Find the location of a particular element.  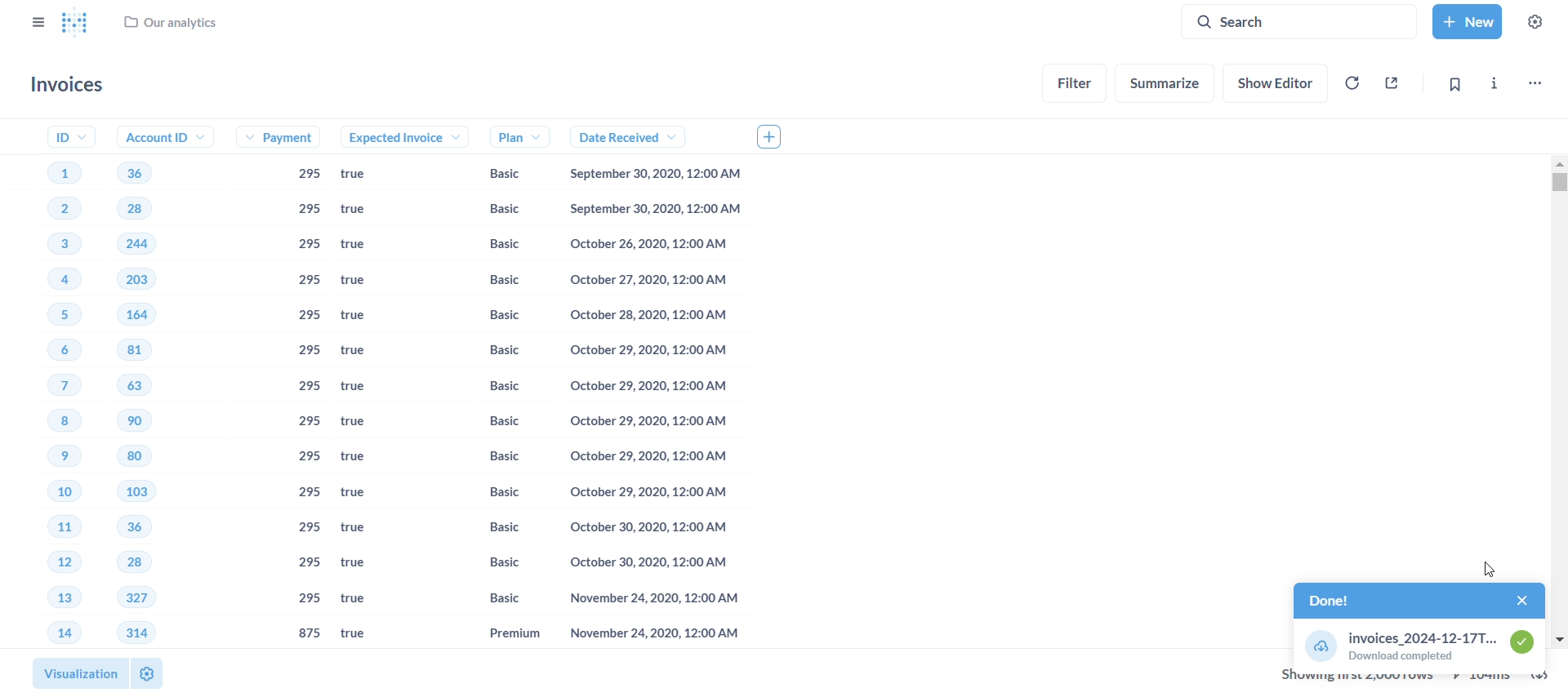

true is located at coordinates (360, 496).